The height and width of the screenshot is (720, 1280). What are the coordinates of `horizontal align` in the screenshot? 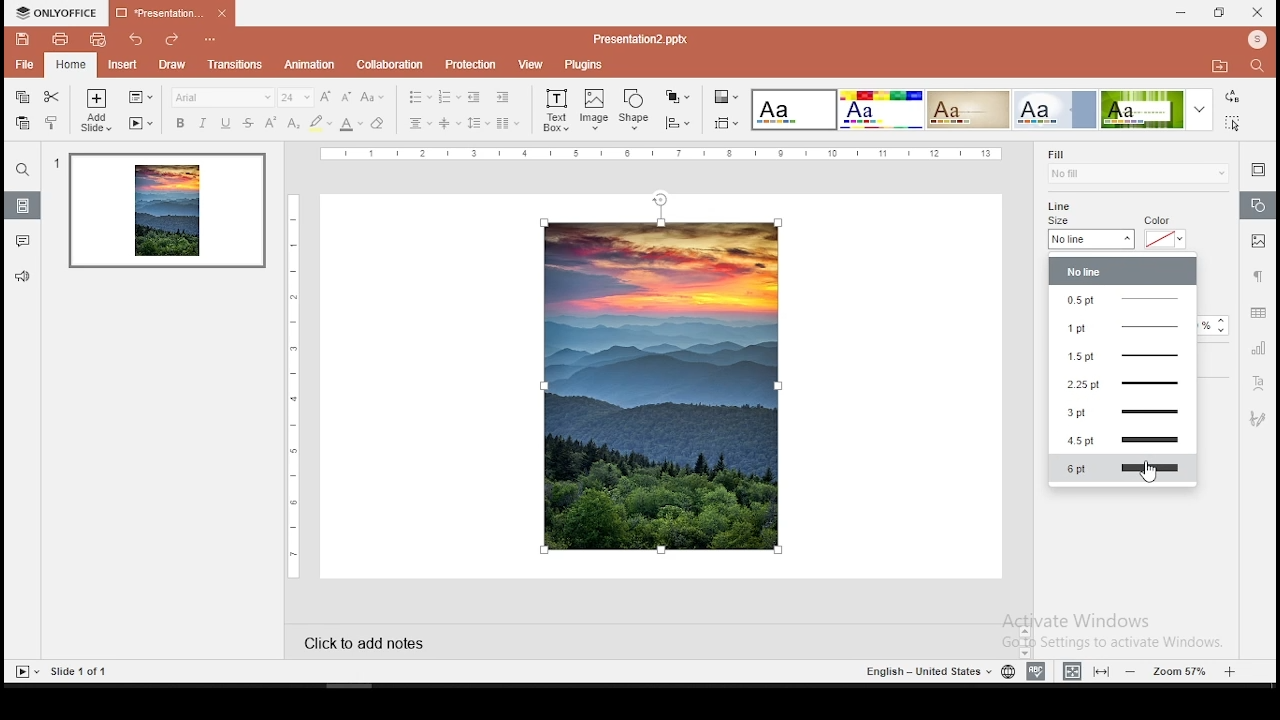 It's located at (421, 124).